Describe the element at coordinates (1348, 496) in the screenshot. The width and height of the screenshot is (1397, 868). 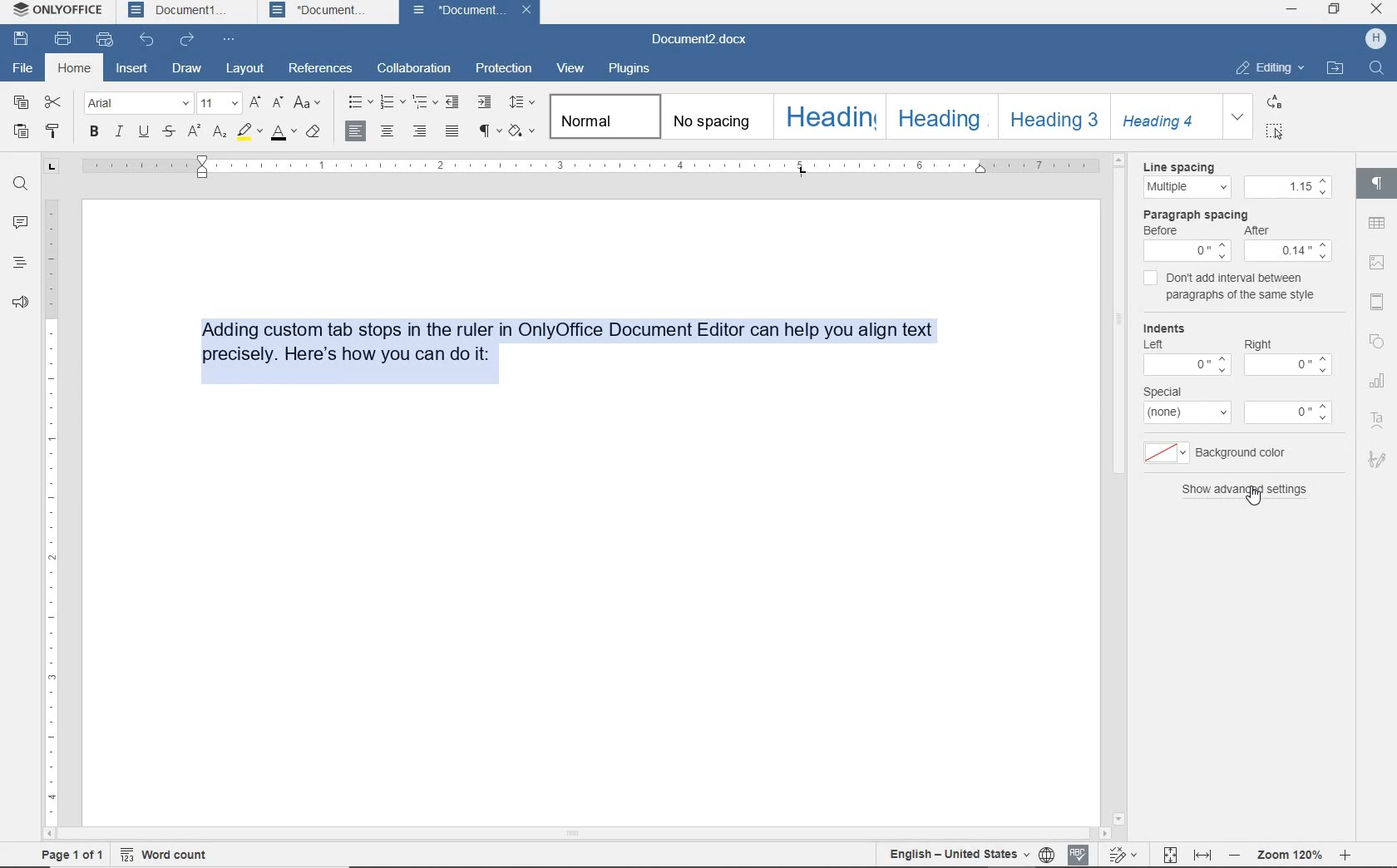
I see `scrollbar` at that location.